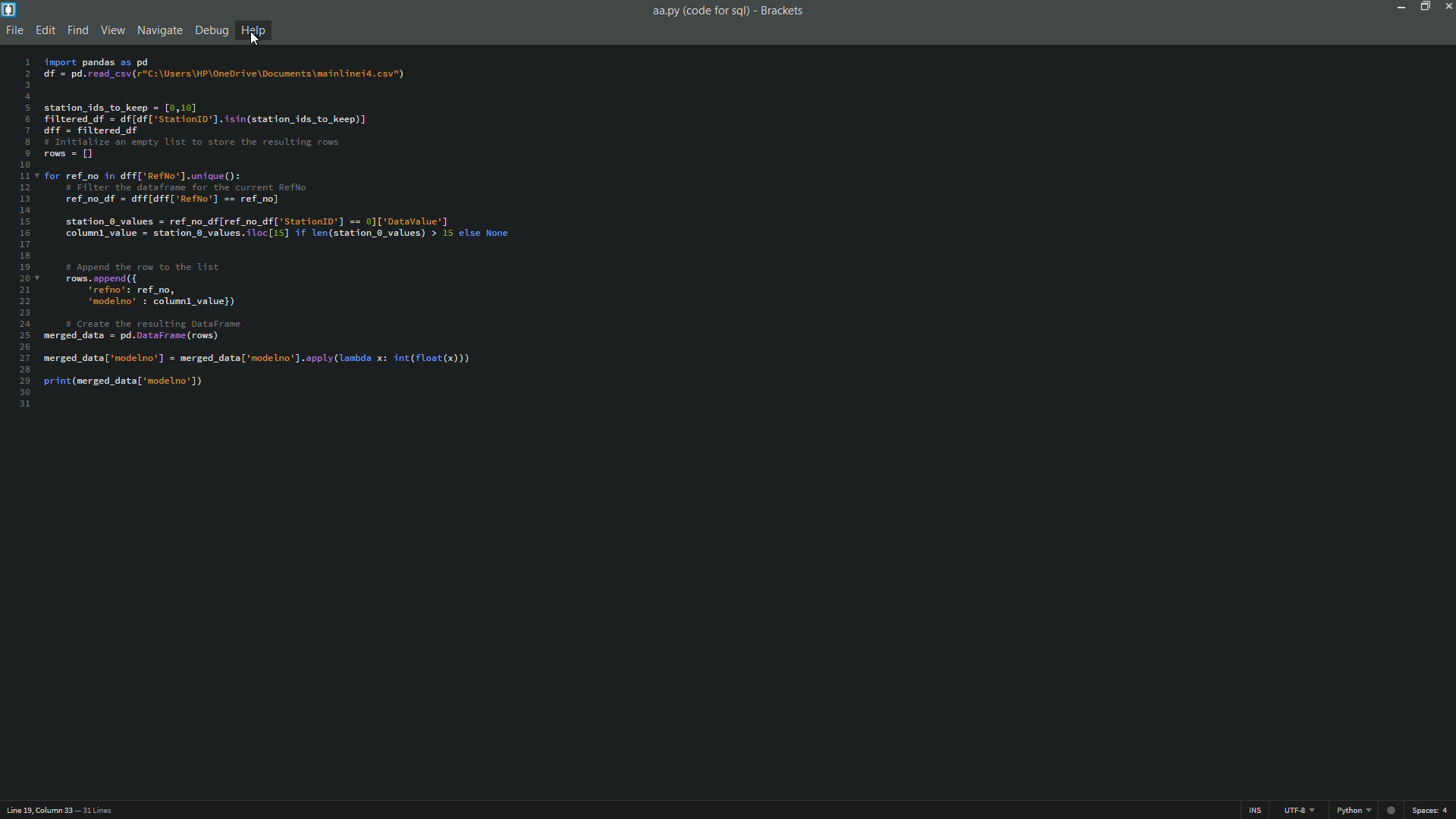 The image size is (1456, 819). I want to click on maximize, so click(1423, 7).